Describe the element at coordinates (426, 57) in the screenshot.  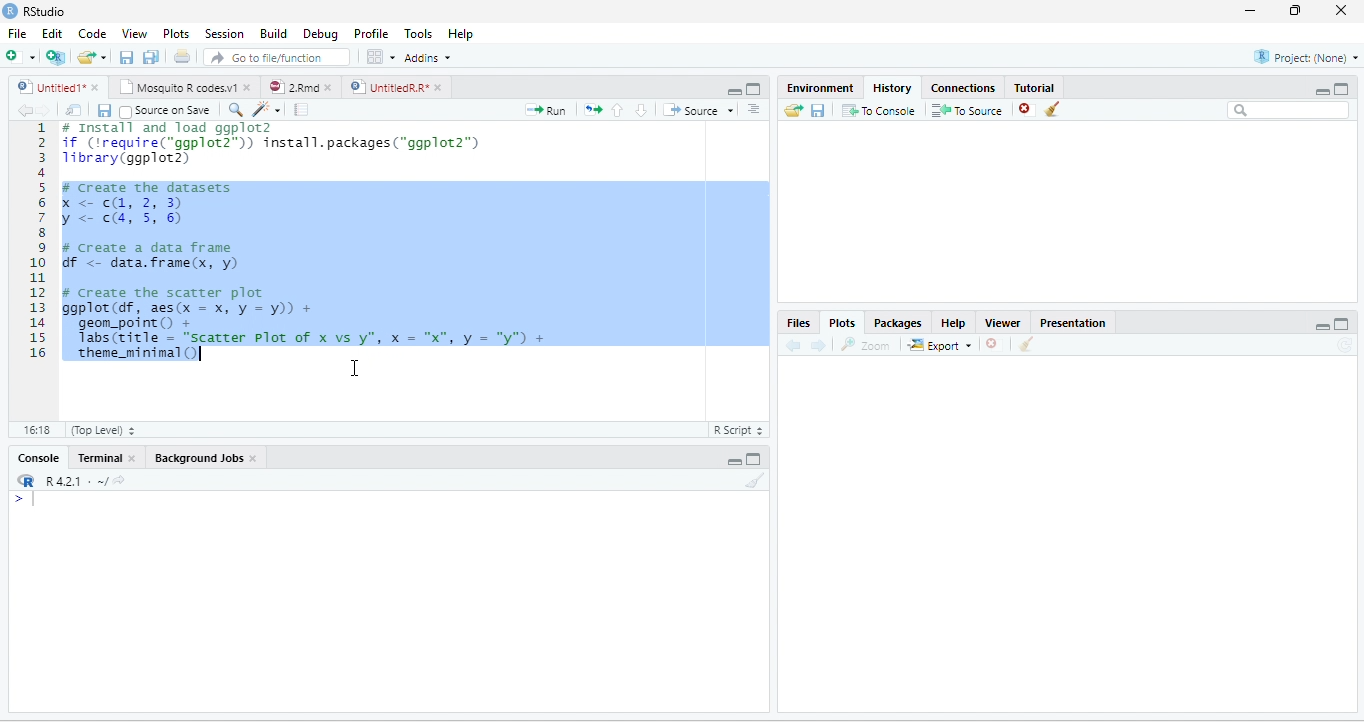
I see `Addins` at that location.